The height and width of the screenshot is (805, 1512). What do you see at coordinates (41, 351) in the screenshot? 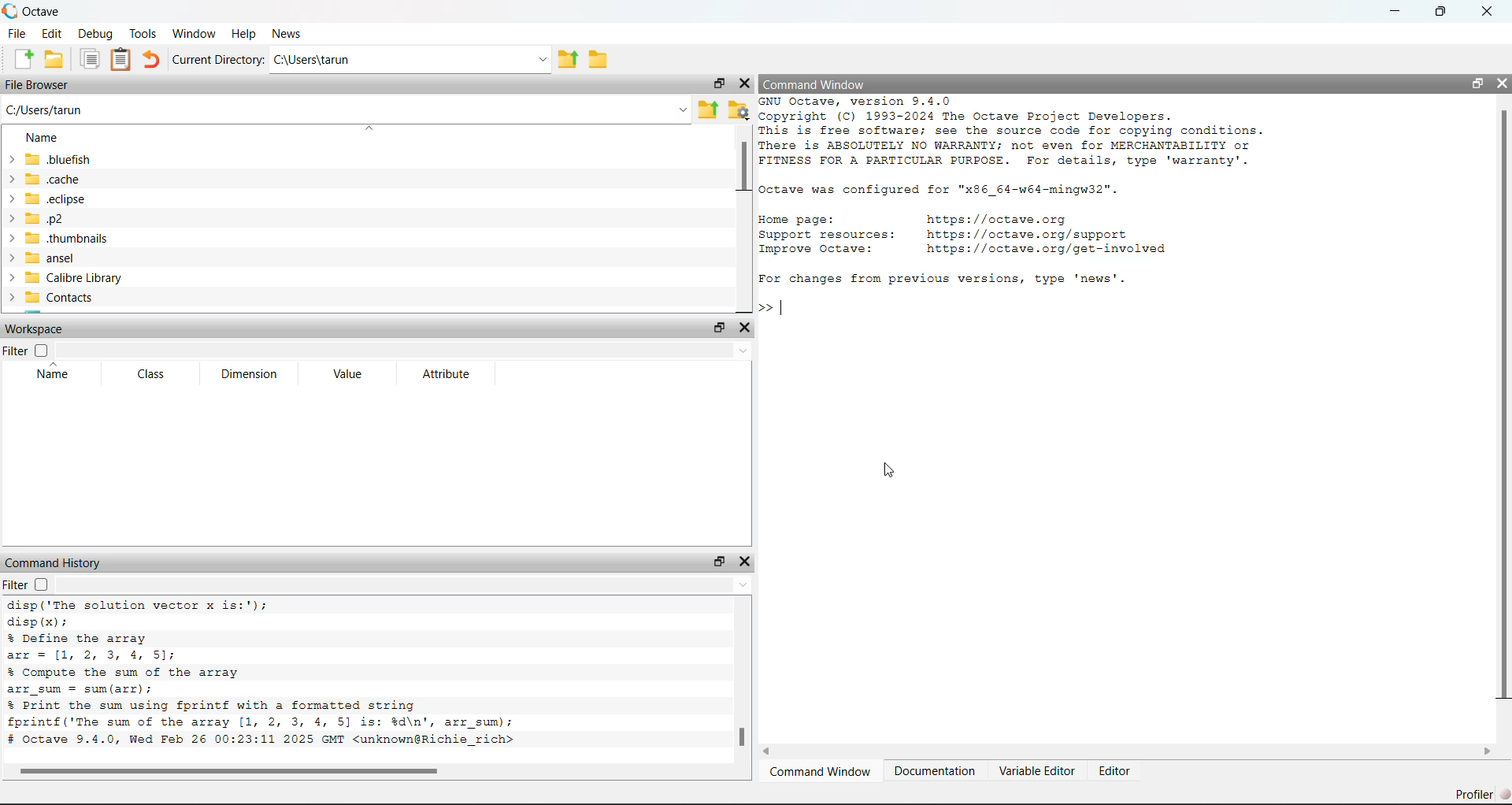
I see `Check box` at bounding box center [41, 351].